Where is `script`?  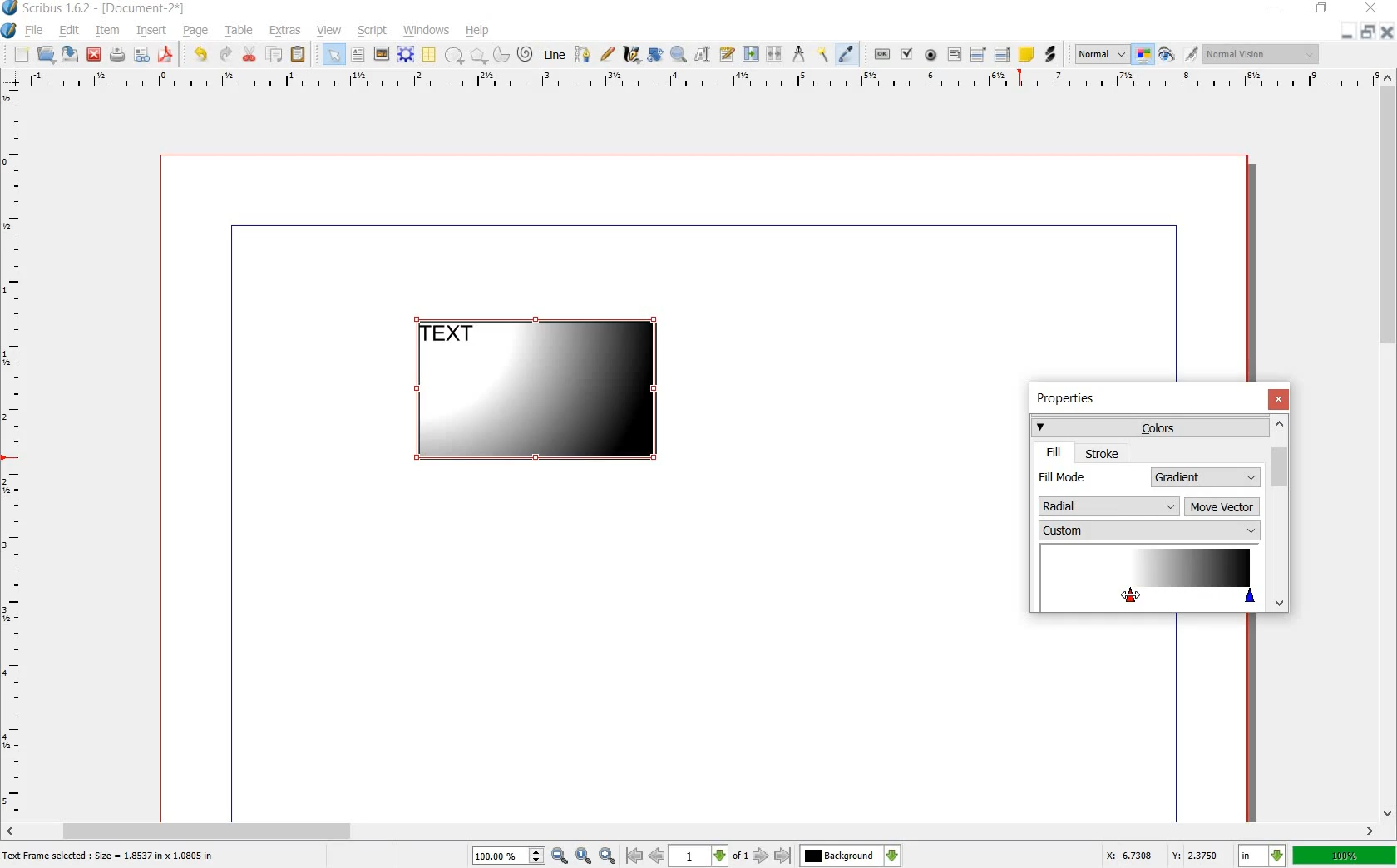 script is located at coordinates (373, 31).